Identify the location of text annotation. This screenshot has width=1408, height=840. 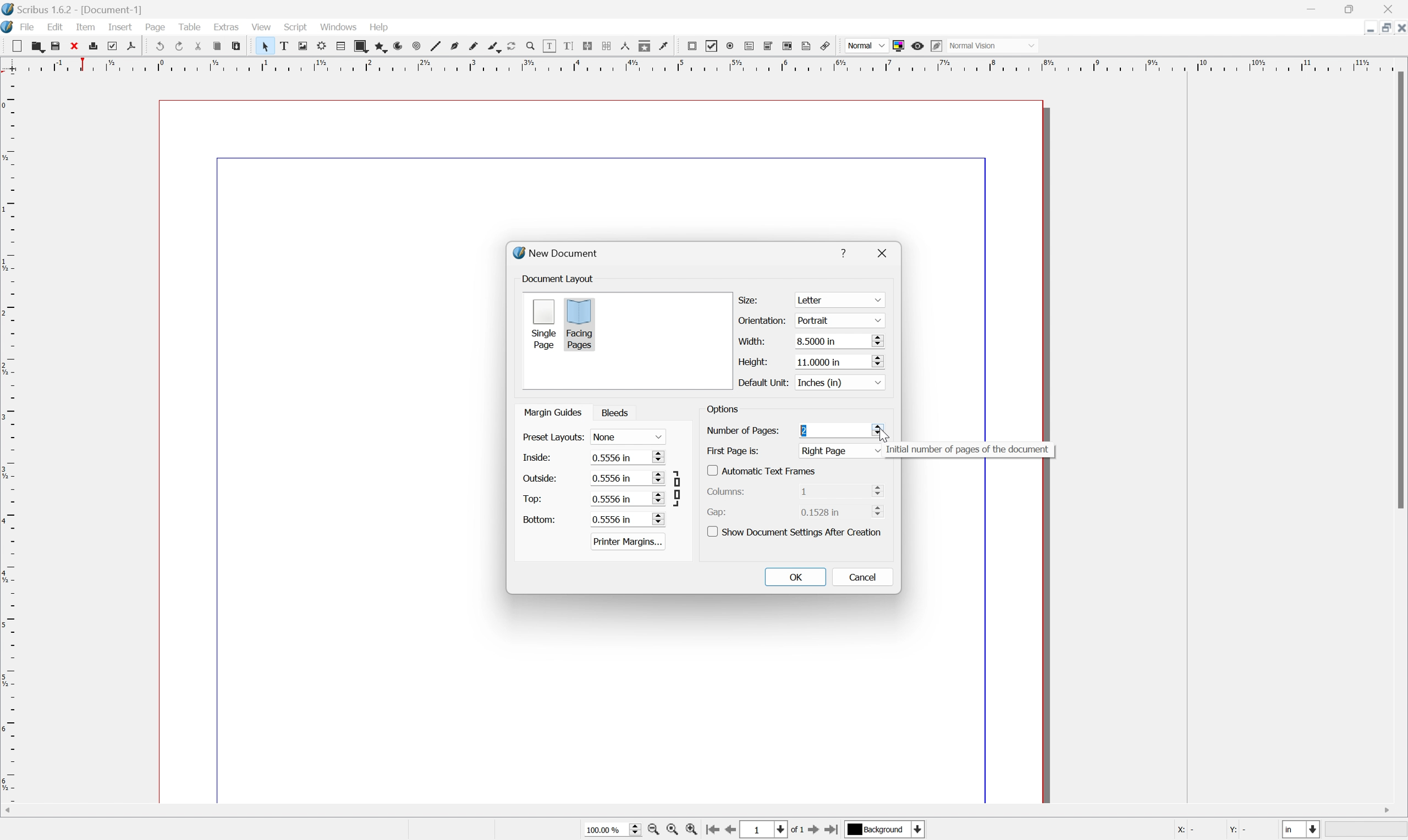
(807, 46).